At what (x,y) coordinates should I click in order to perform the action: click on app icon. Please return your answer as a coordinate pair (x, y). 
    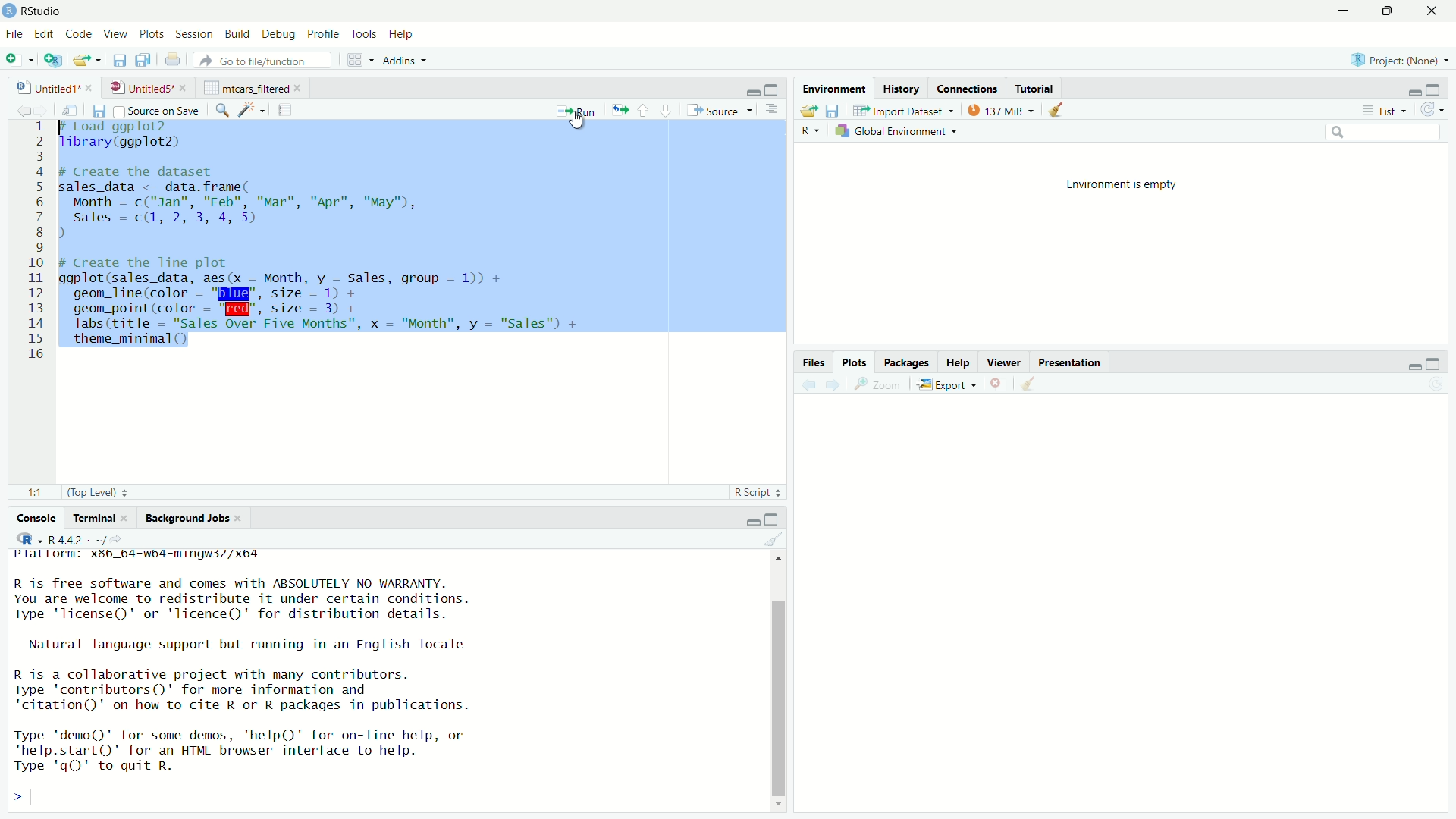
    Looking at the image, I should click on (9, 11).